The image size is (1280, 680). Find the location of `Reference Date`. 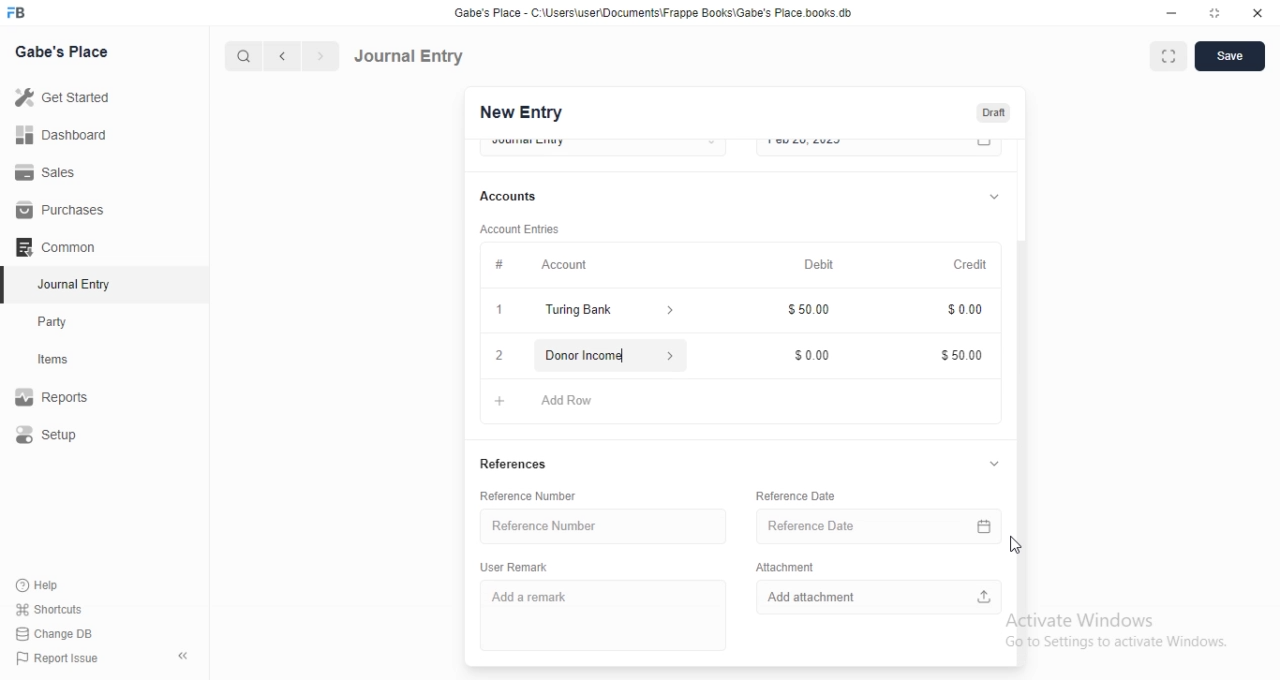

Reference Date is located at coordinates (796, 495).